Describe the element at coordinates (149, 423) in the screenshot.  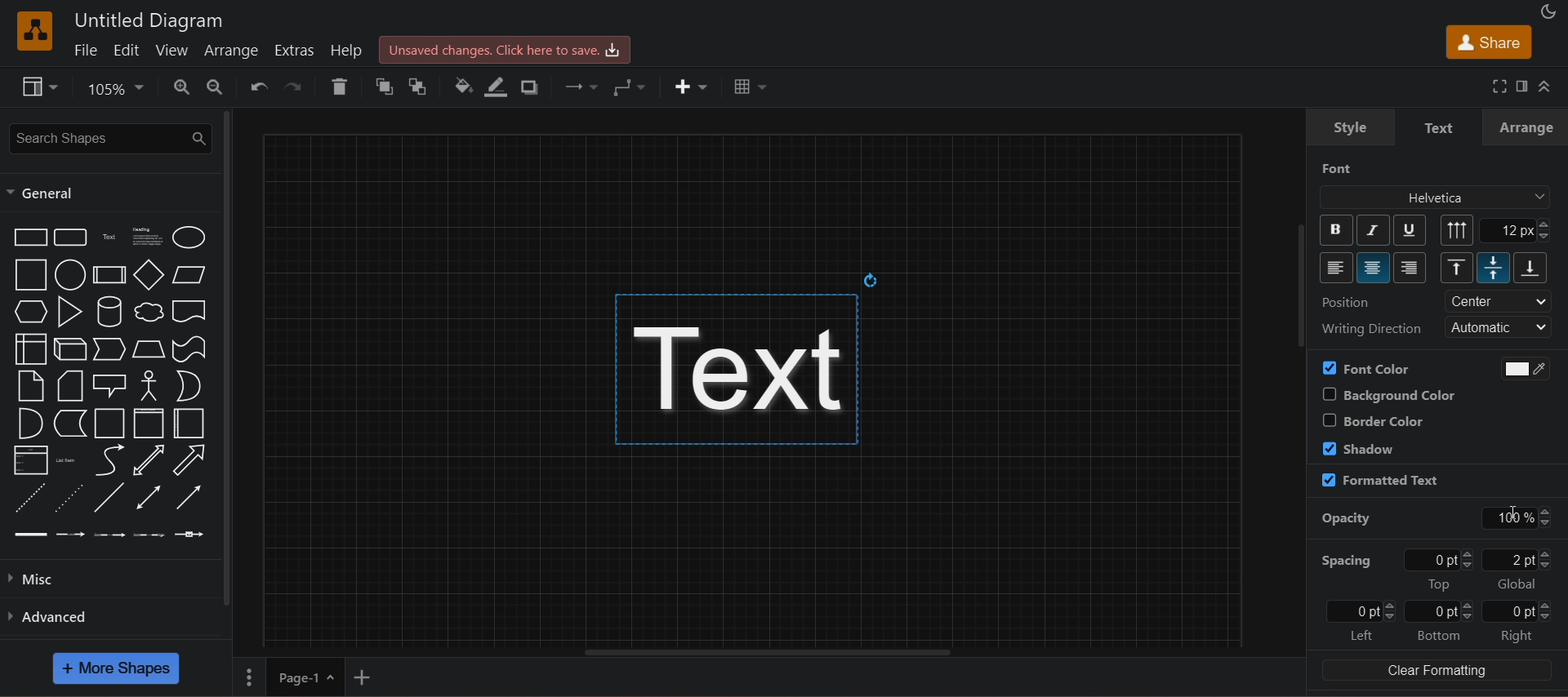
I see `vertical container` at that location.